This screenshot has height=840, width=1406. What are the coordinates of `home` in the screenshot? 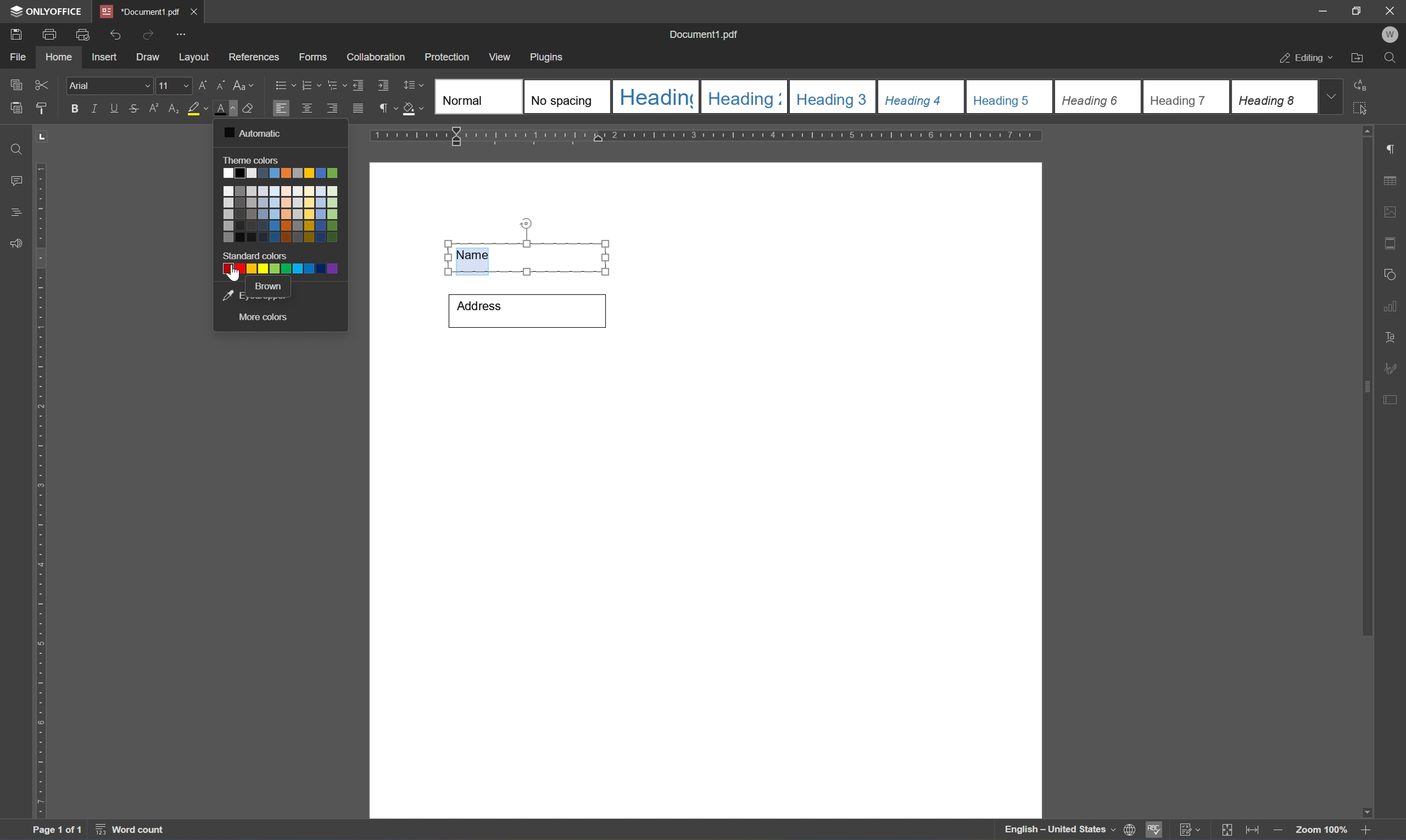 It's located at (62, 59).